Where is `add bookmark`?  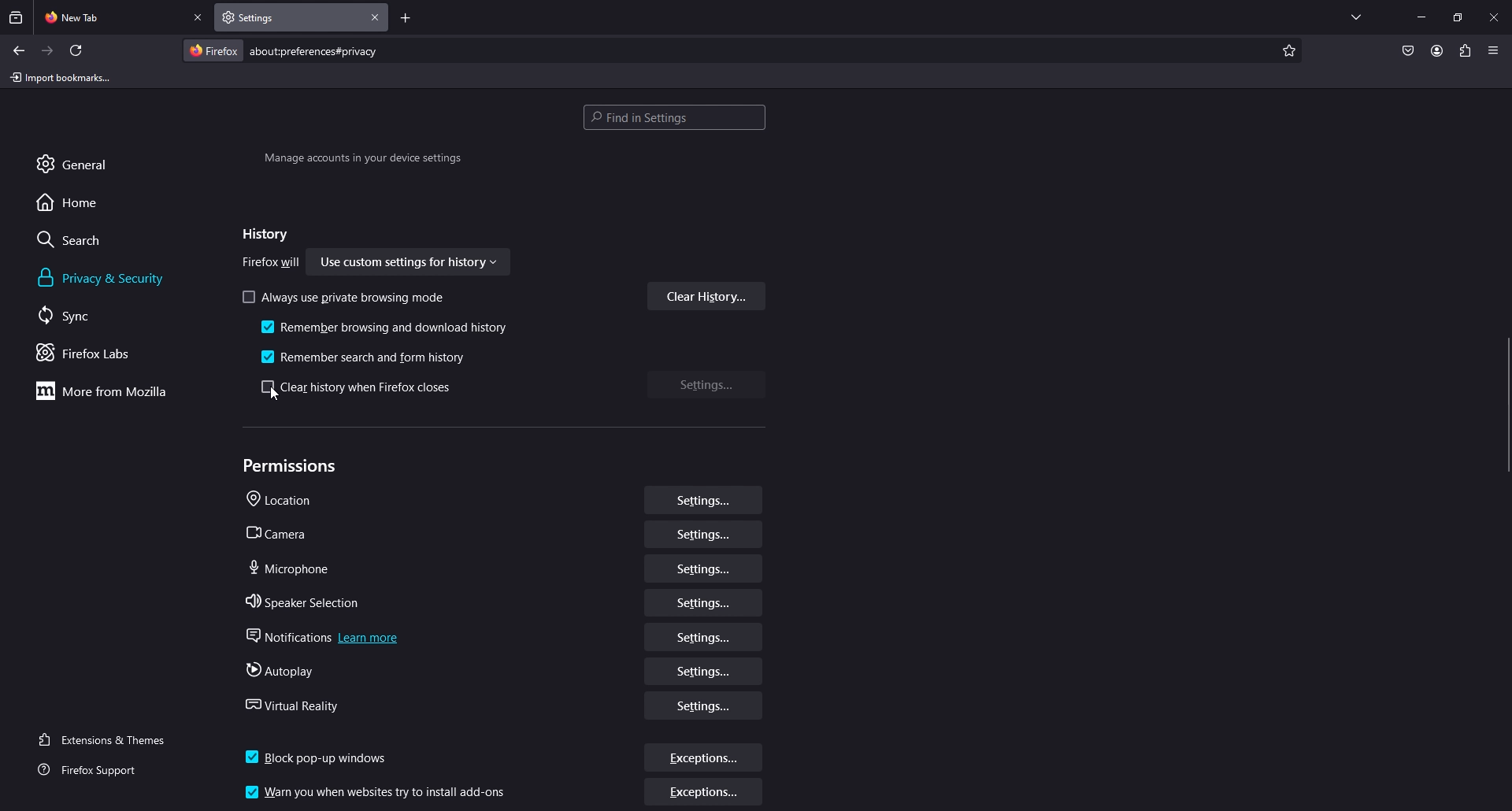 add bookmark is located at coordinates (1287, 51).